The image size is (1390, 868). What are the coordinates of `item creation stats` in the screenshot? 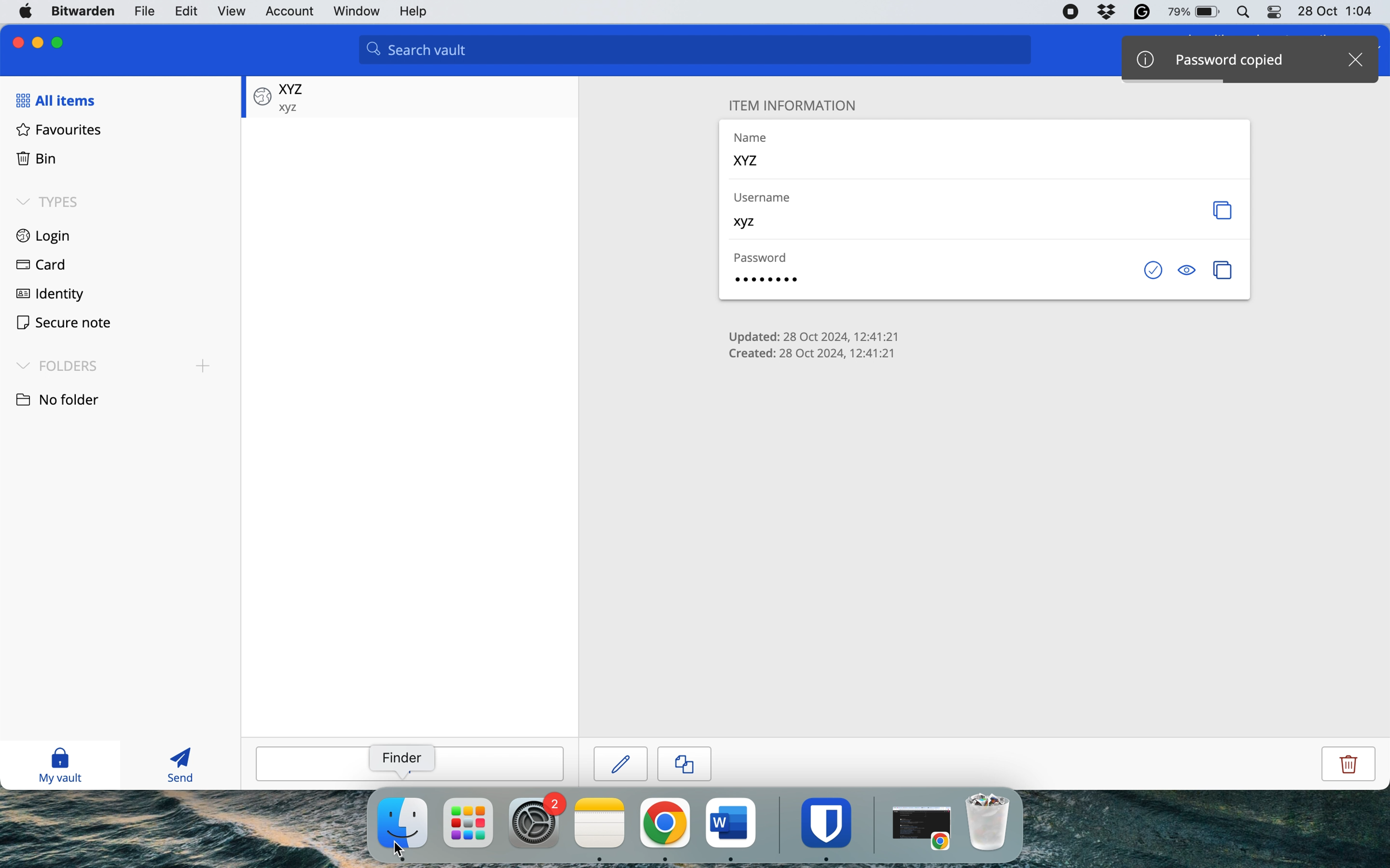 It's located at (818, 355).